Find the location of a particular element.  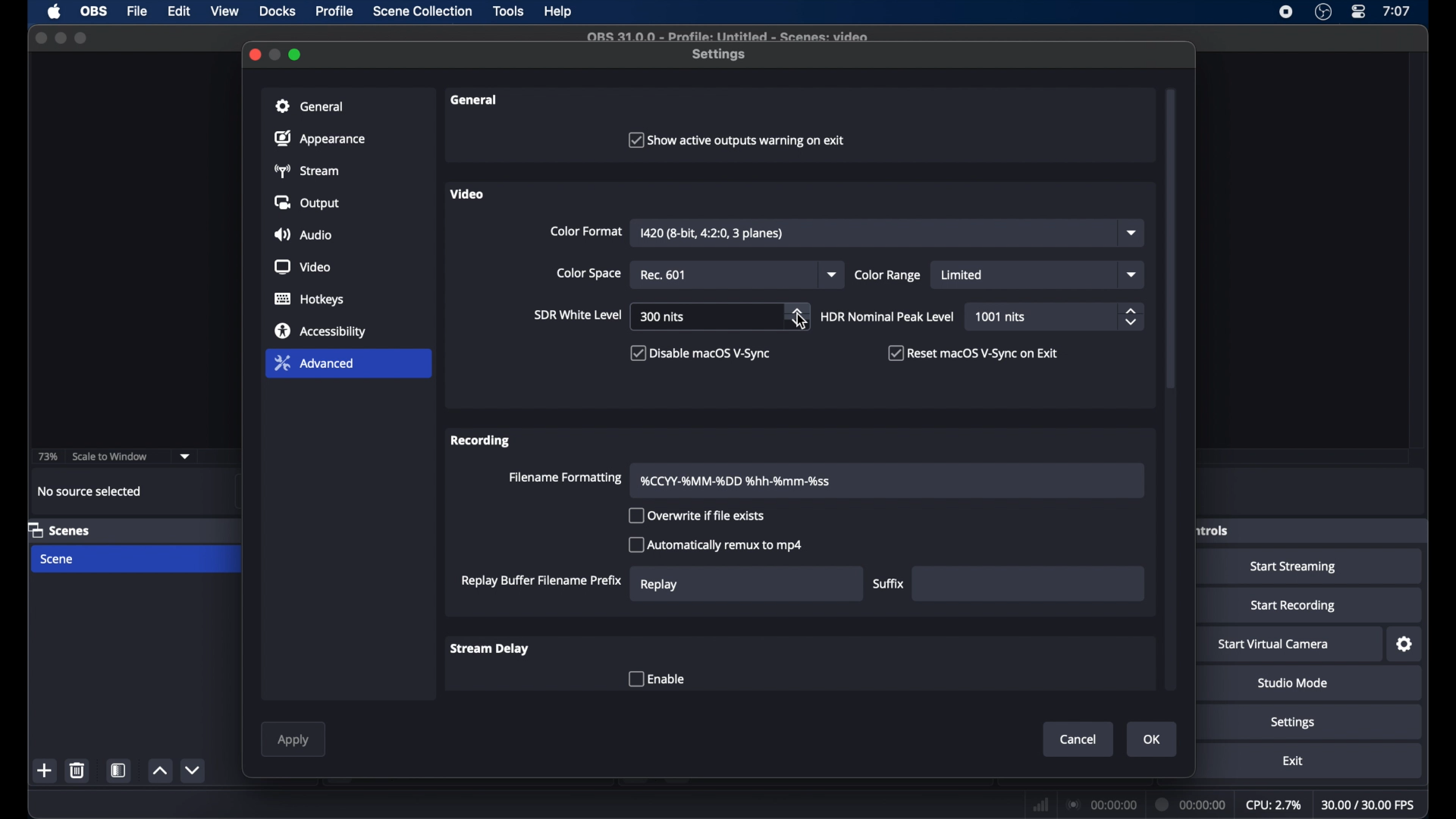

scene collection is located at coordinates (422, 11).